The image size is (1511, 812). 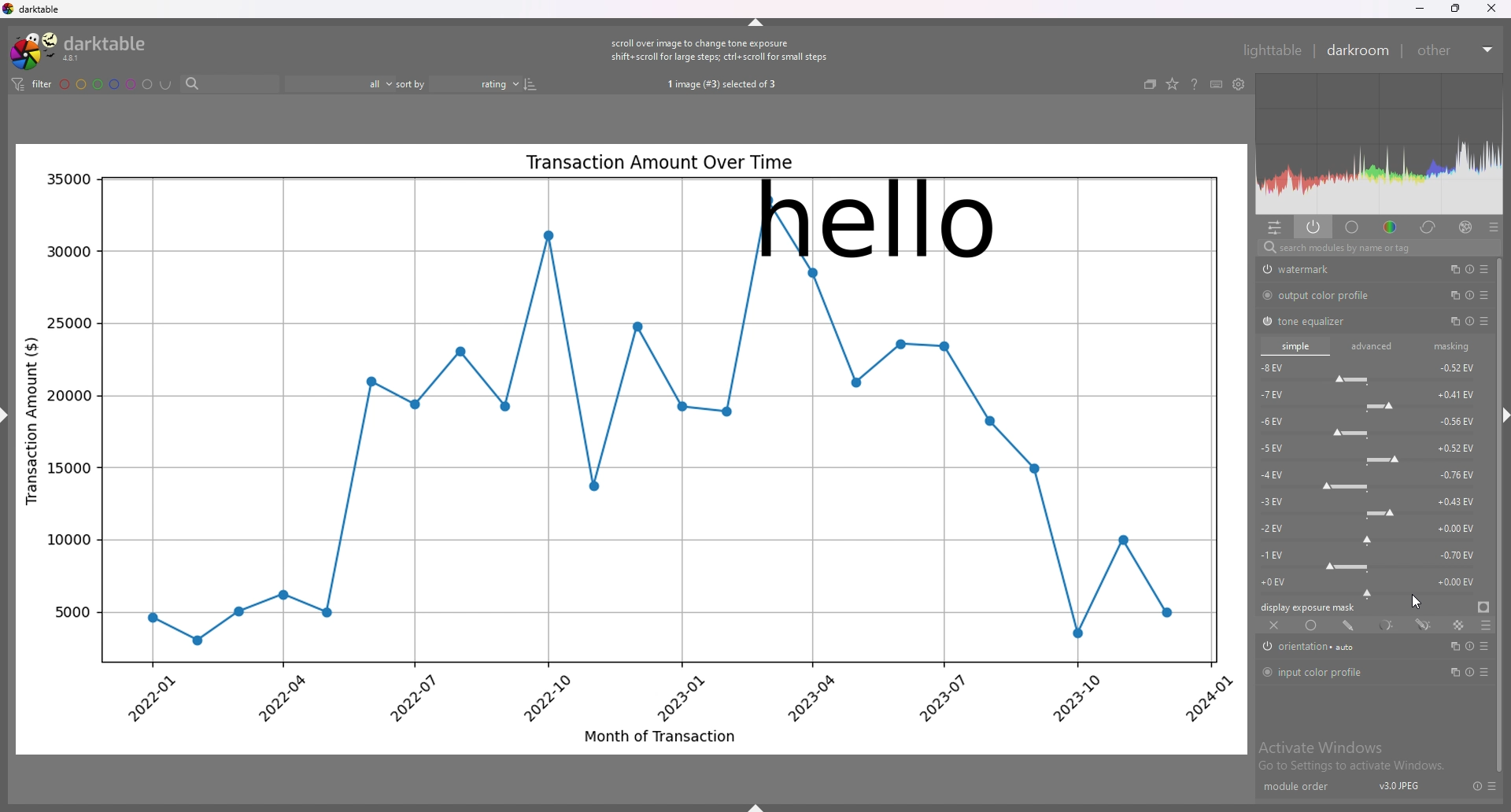 I want to click on advanced, so click(x=1372, y=346).